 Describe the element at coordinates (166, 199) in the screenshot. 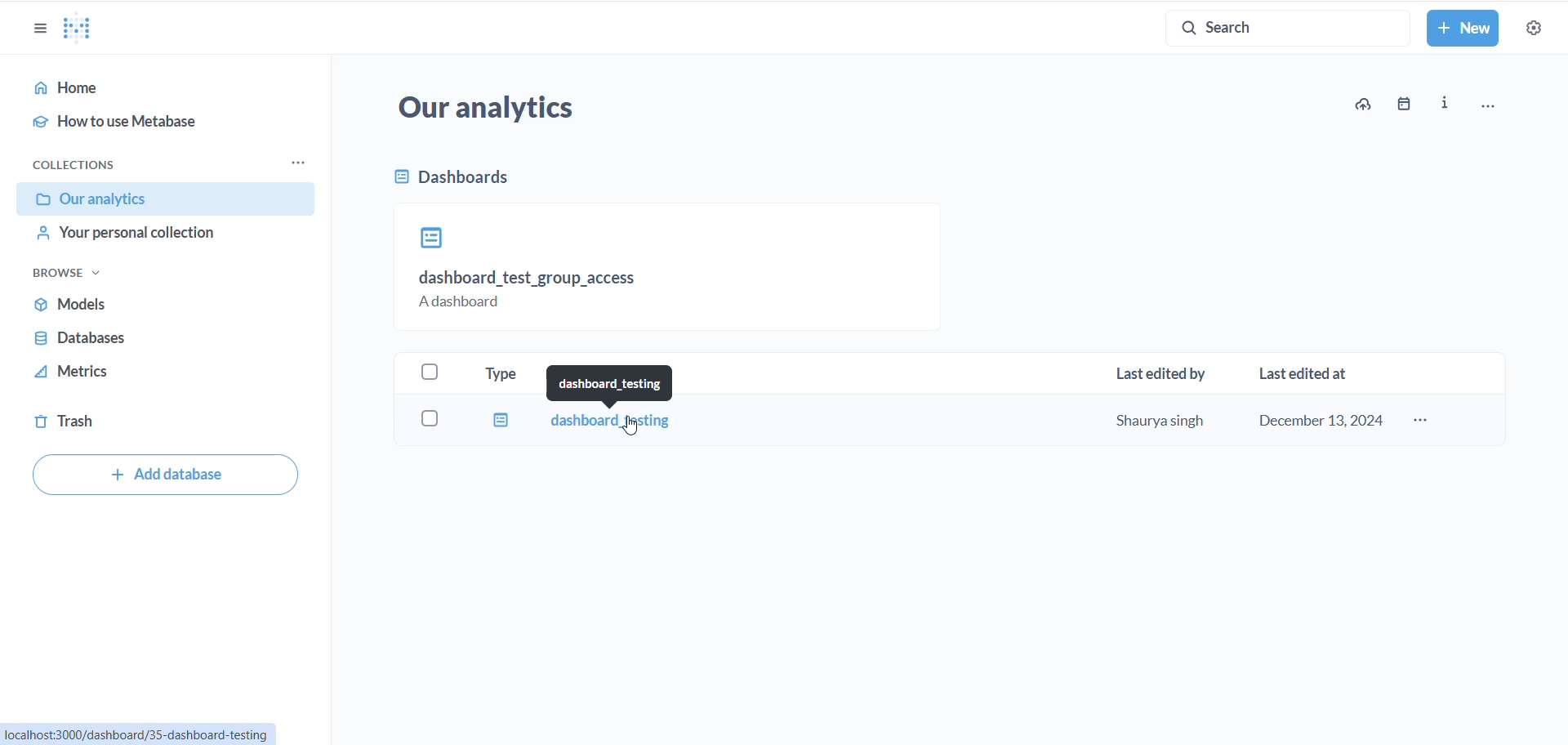

I see `our analytics` at that location.